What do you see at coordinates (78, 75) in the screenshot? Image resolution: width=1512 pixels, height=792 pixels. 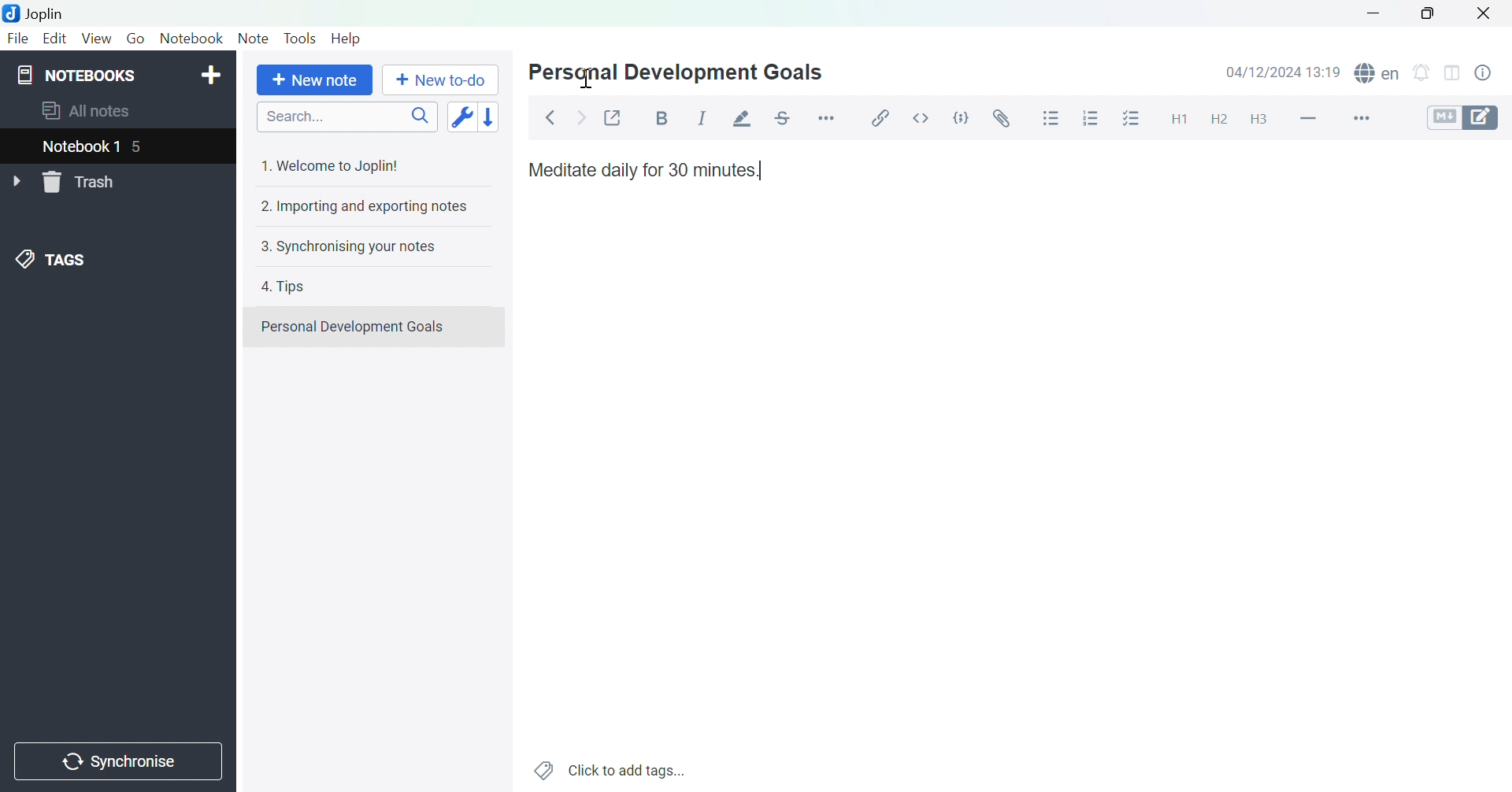 I see `NOTEBOOKS` at bounding box center [78, 75].